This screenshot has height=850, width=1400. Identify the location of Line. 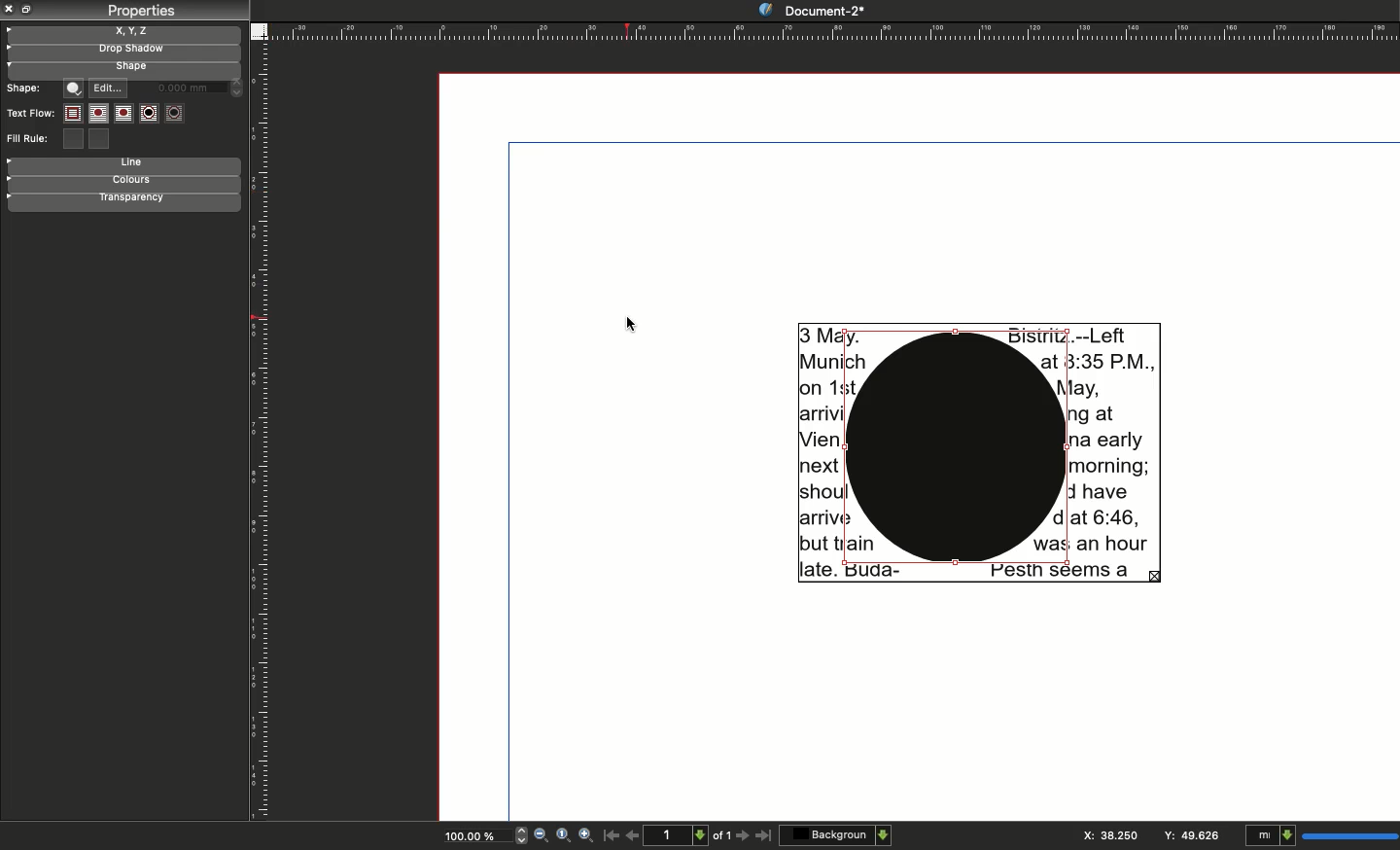
(129, 165).